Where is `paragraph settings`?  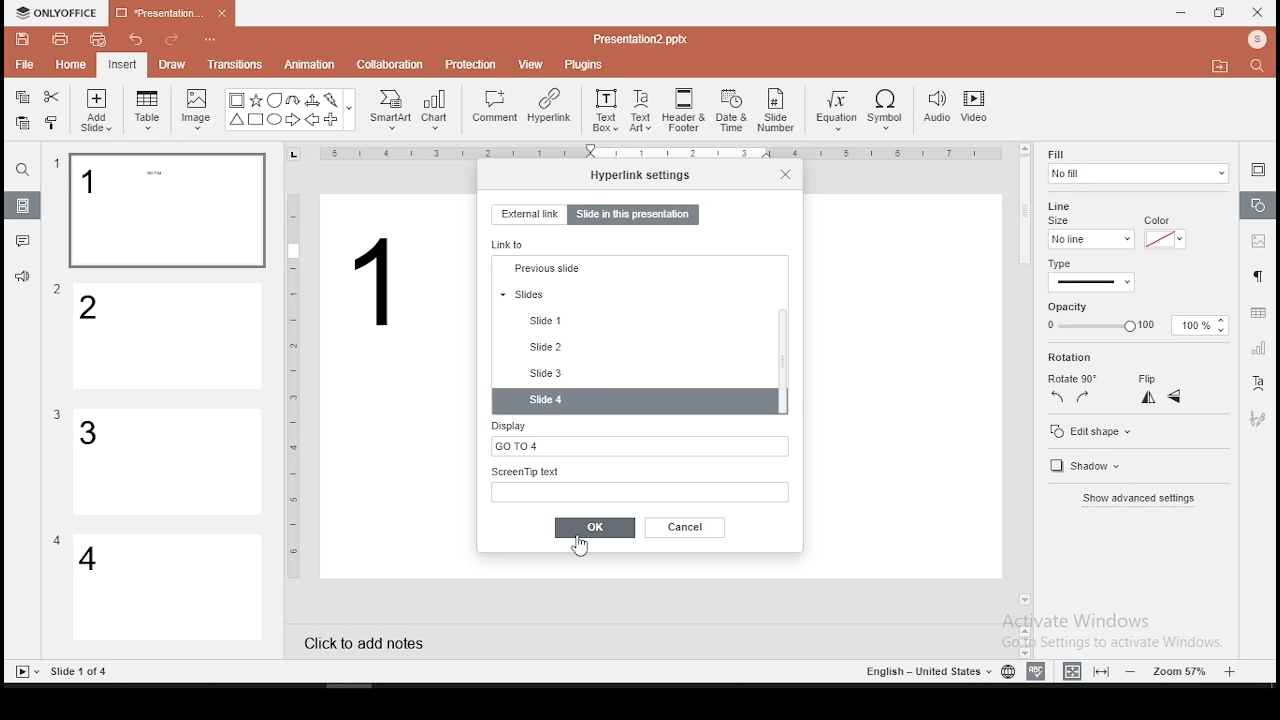 paragraph settings is located at coordinates (1256, 274).